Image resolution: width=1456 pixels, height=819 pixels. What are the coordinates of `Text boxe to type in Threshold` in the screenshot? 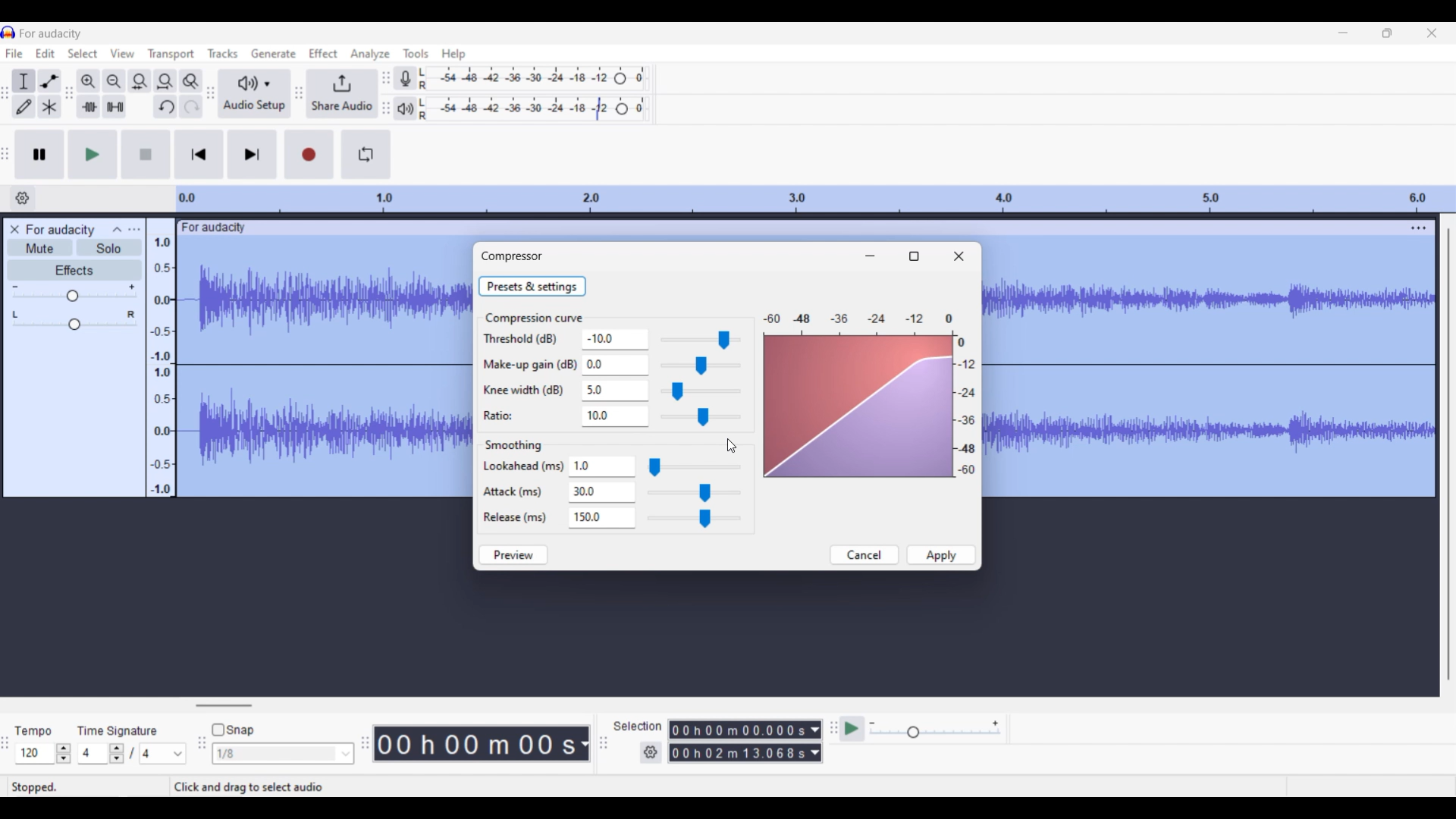 It's located at (610, 338).